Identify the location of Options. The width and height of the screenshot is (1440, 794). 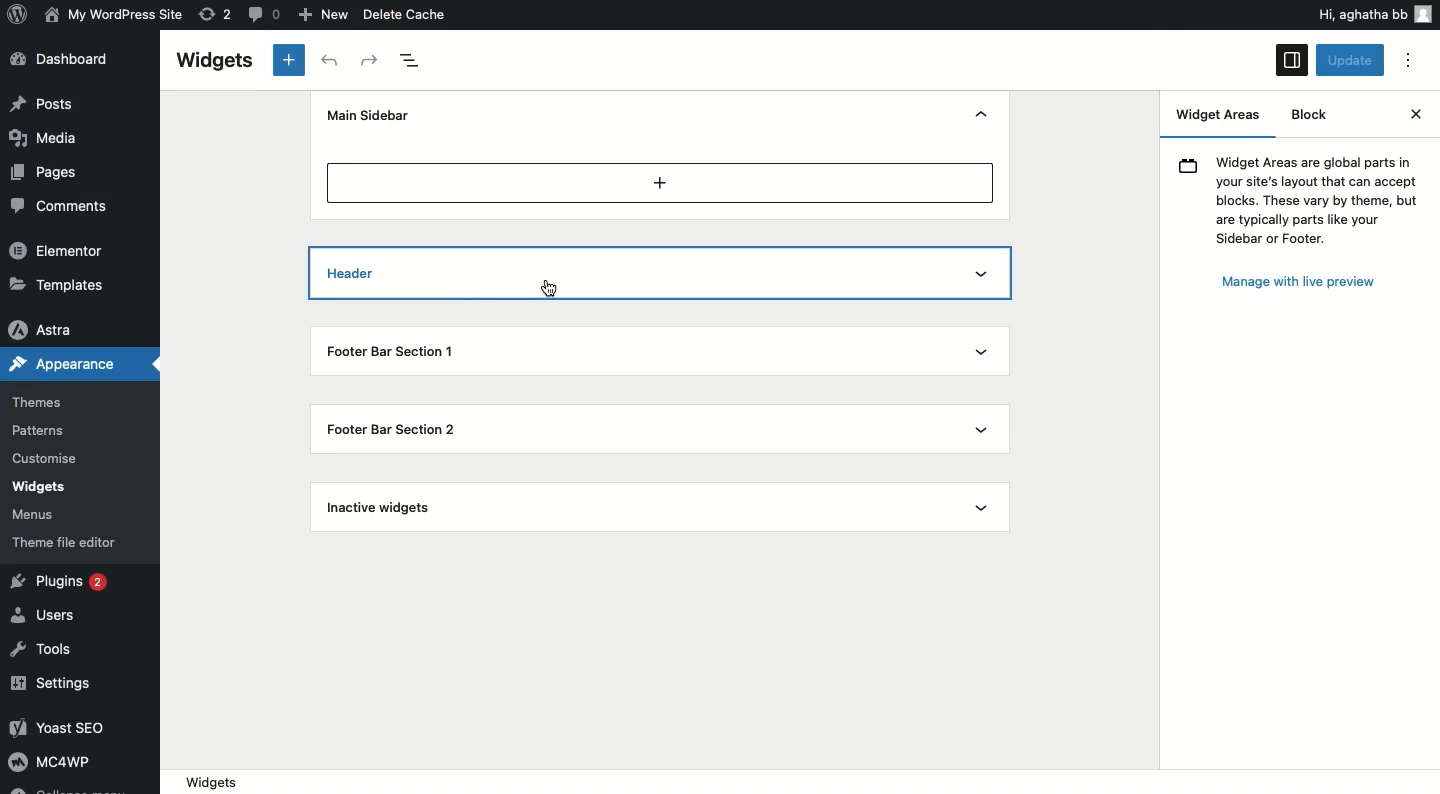
(1408, 61).